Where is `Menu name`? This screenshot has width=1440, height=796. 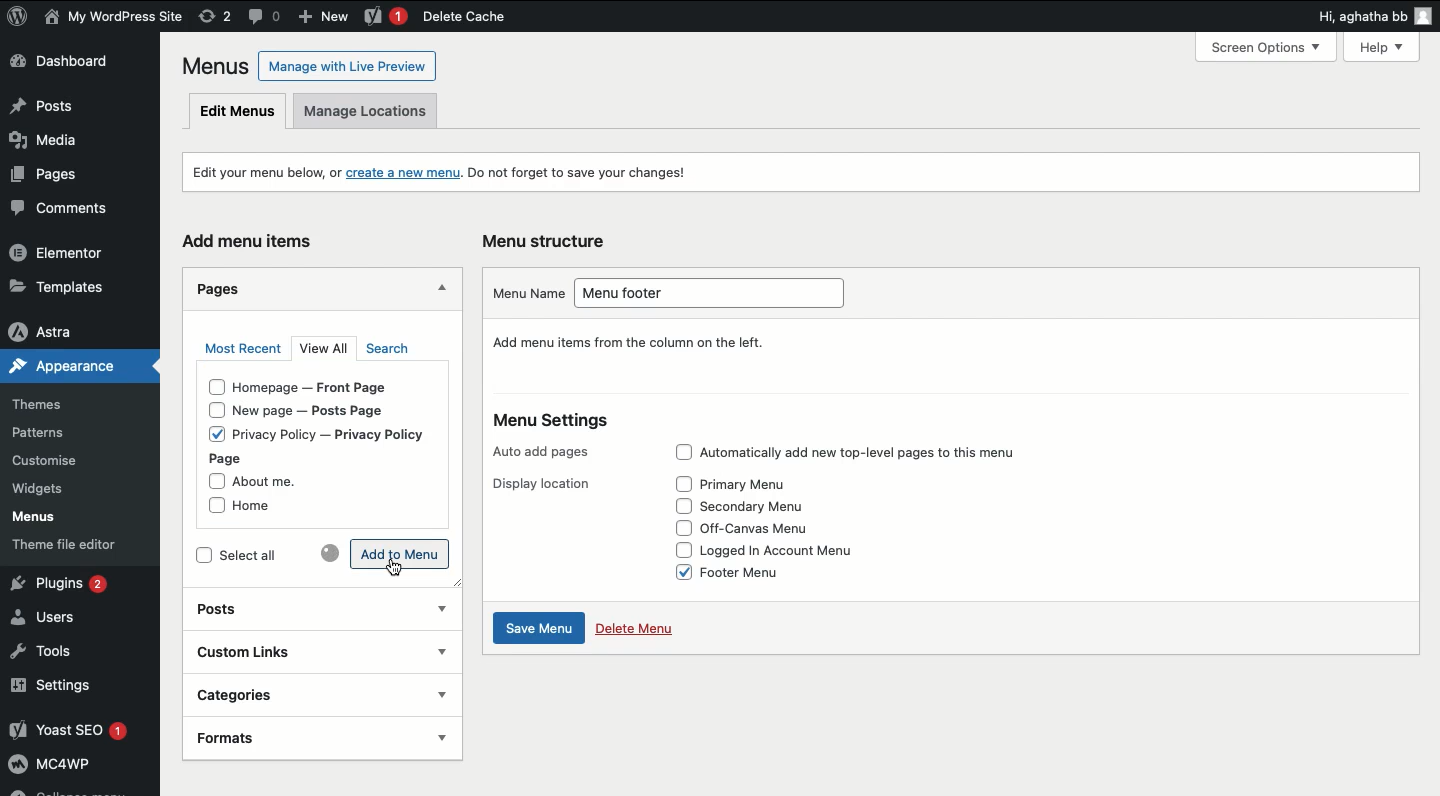 Menu name is located at coordinates (521, 293).